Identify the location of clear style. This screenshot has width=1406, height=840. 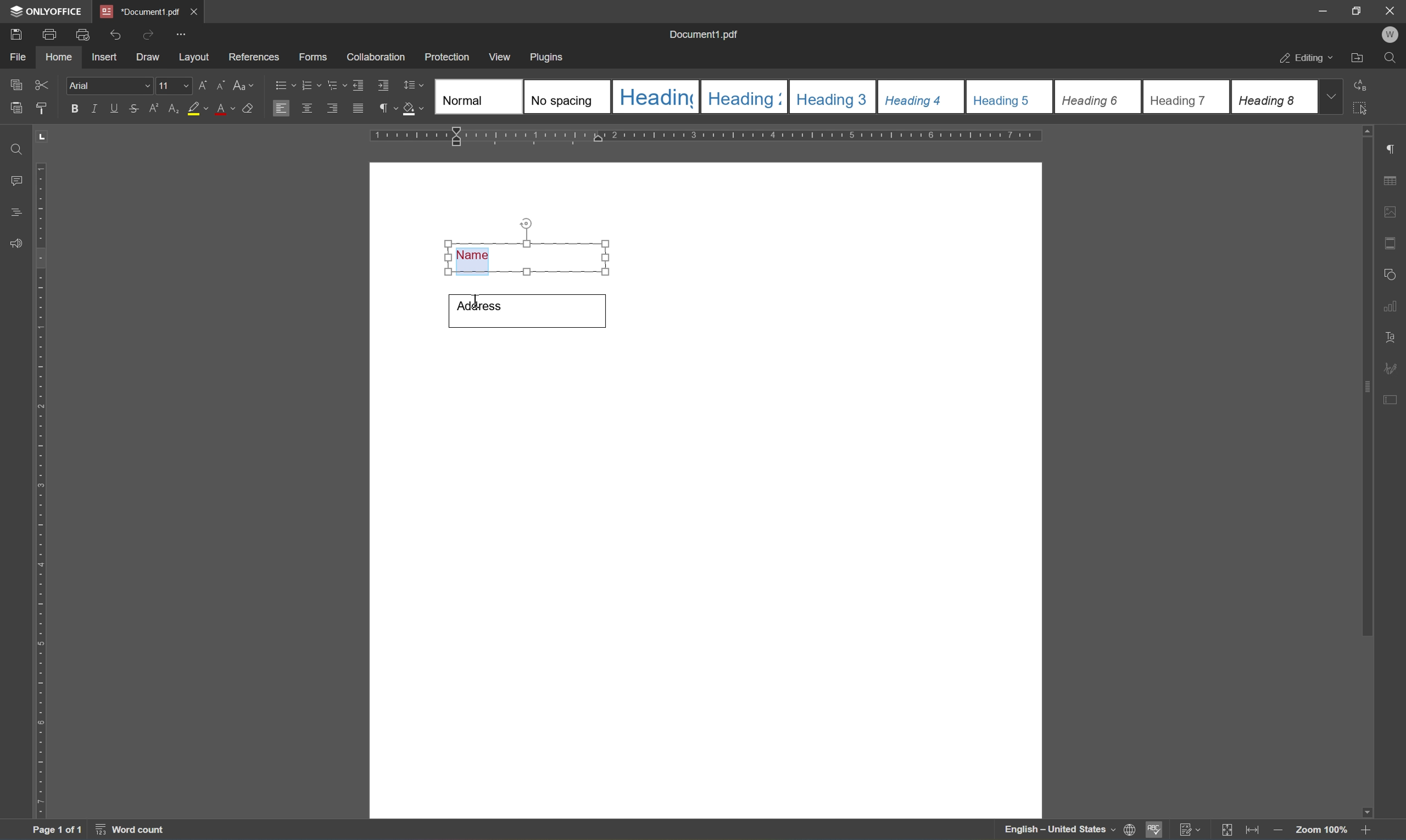
(251, 109).